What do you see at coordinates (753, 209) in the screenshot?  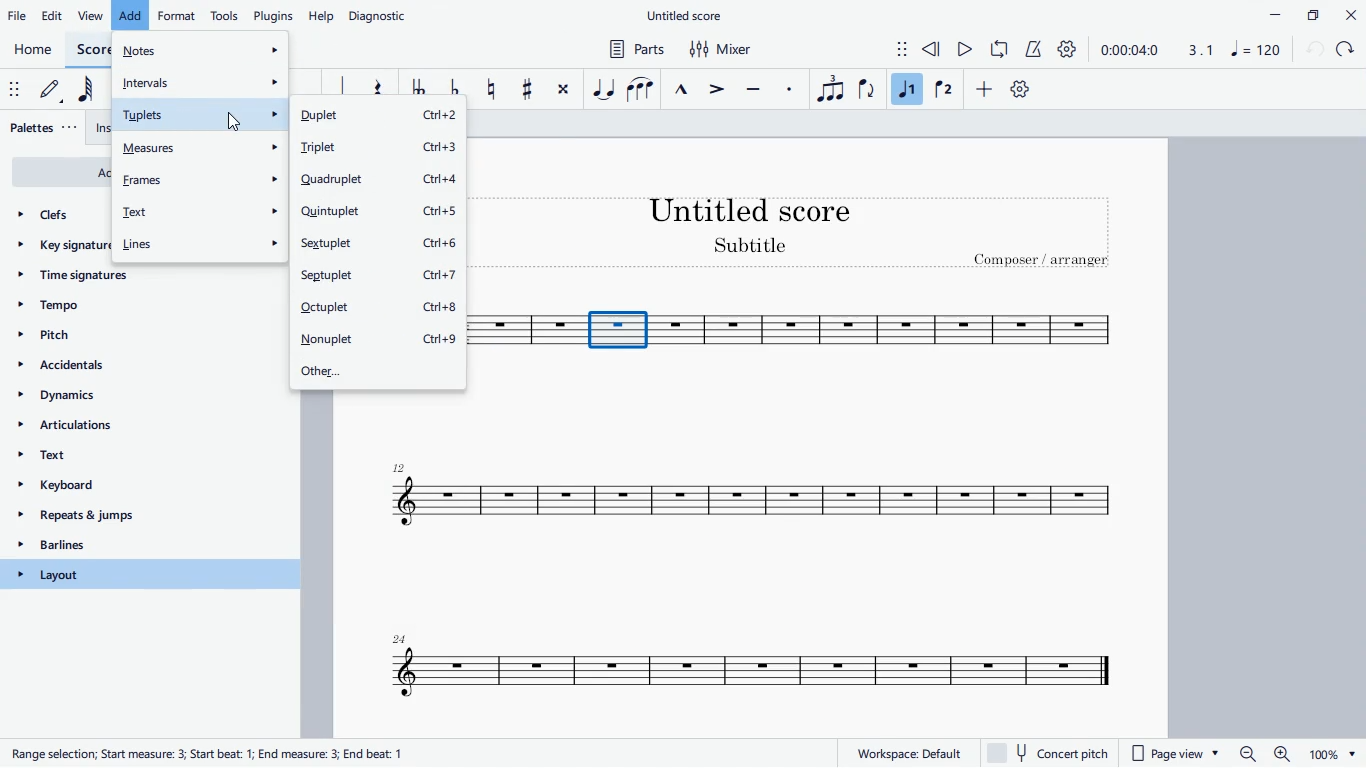 I see `score title` at bounding box center [753, 209].